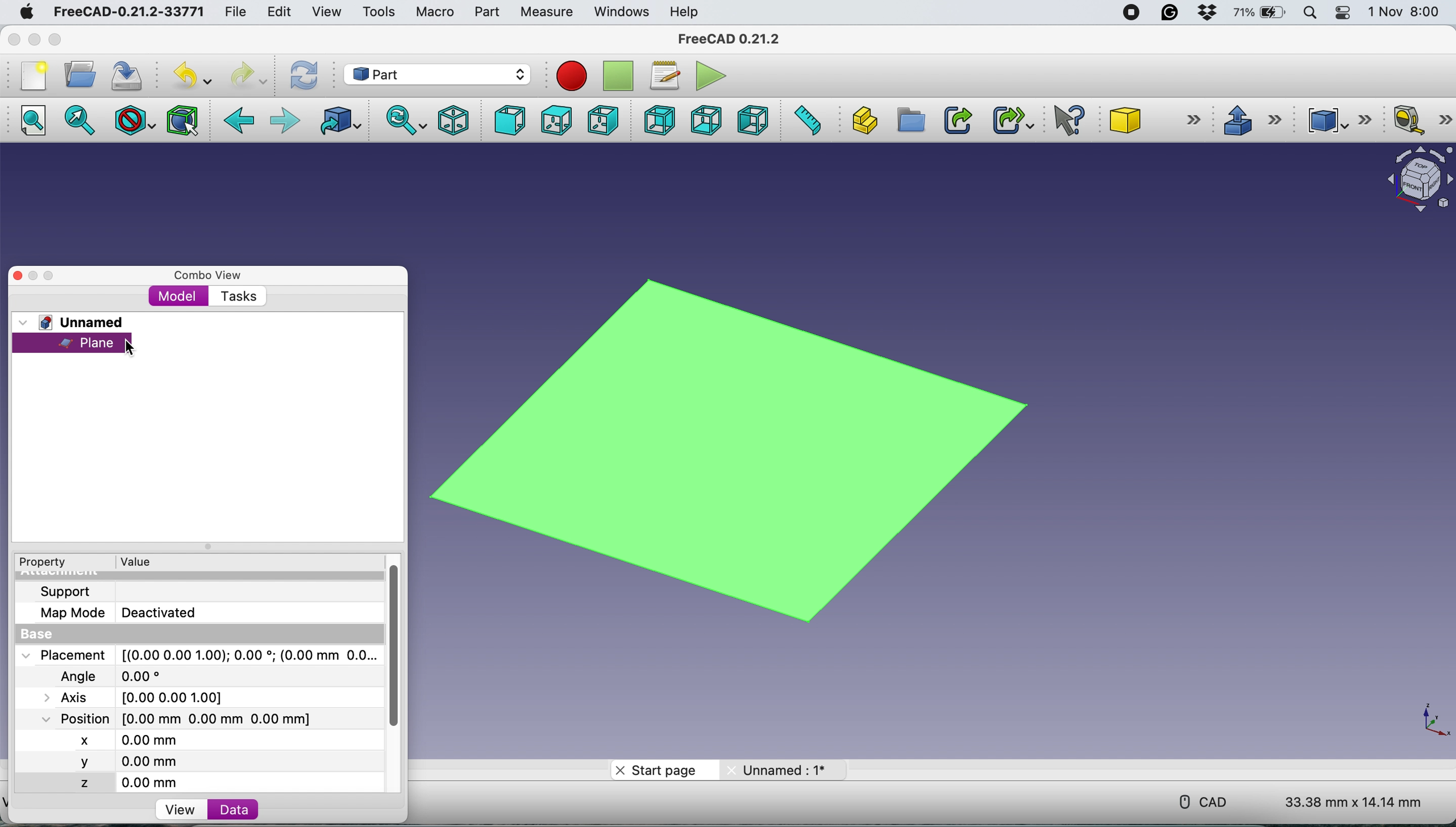 Image resolution: width=1456 pixels, height=827 pixels. Describe the element at coordinates (126, 76) in the screenshot. I see `save` at that location.